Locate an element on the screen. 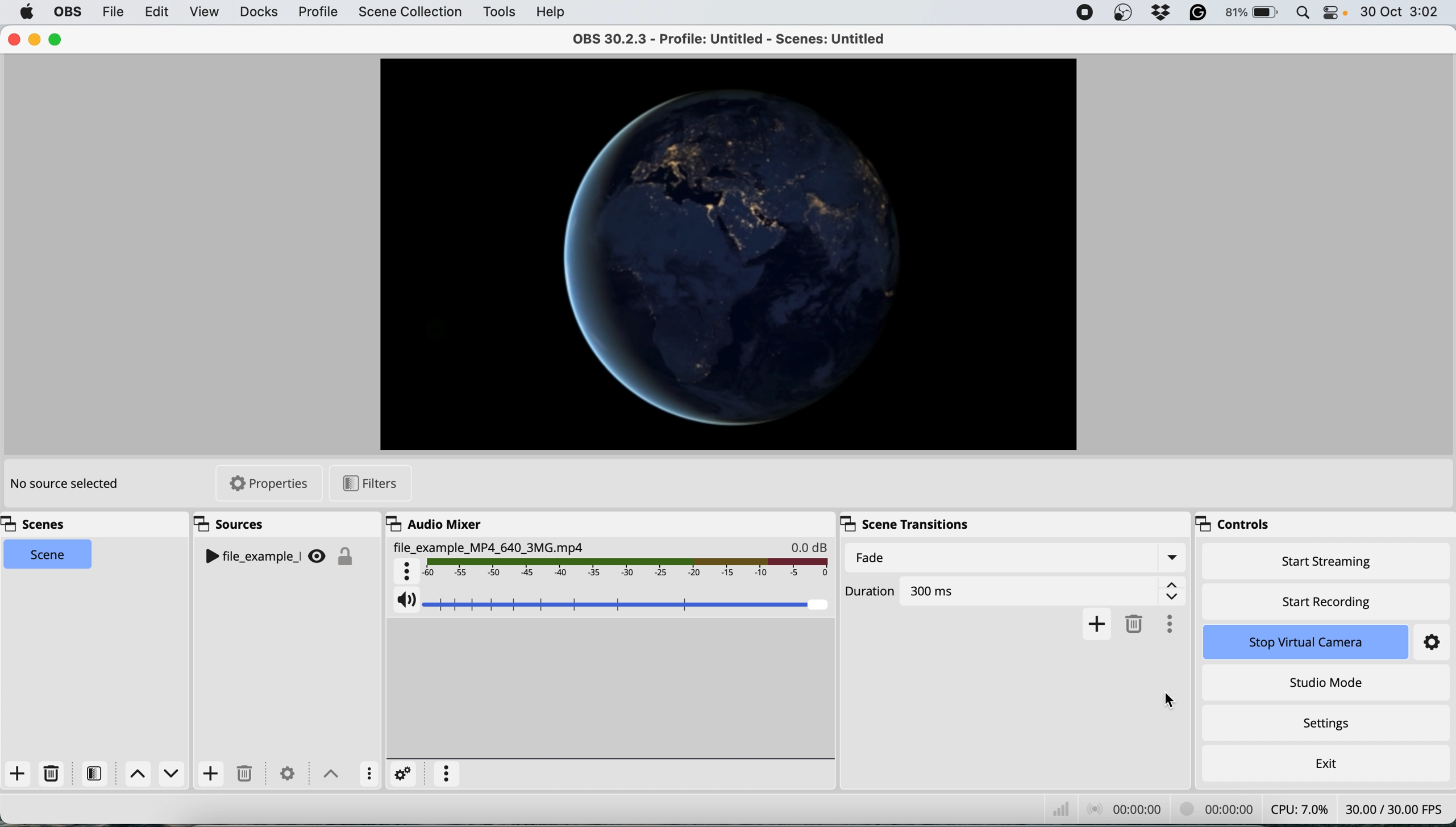 This screenshot has height=827, width=1456. settings is located at coordinates (290, 772).